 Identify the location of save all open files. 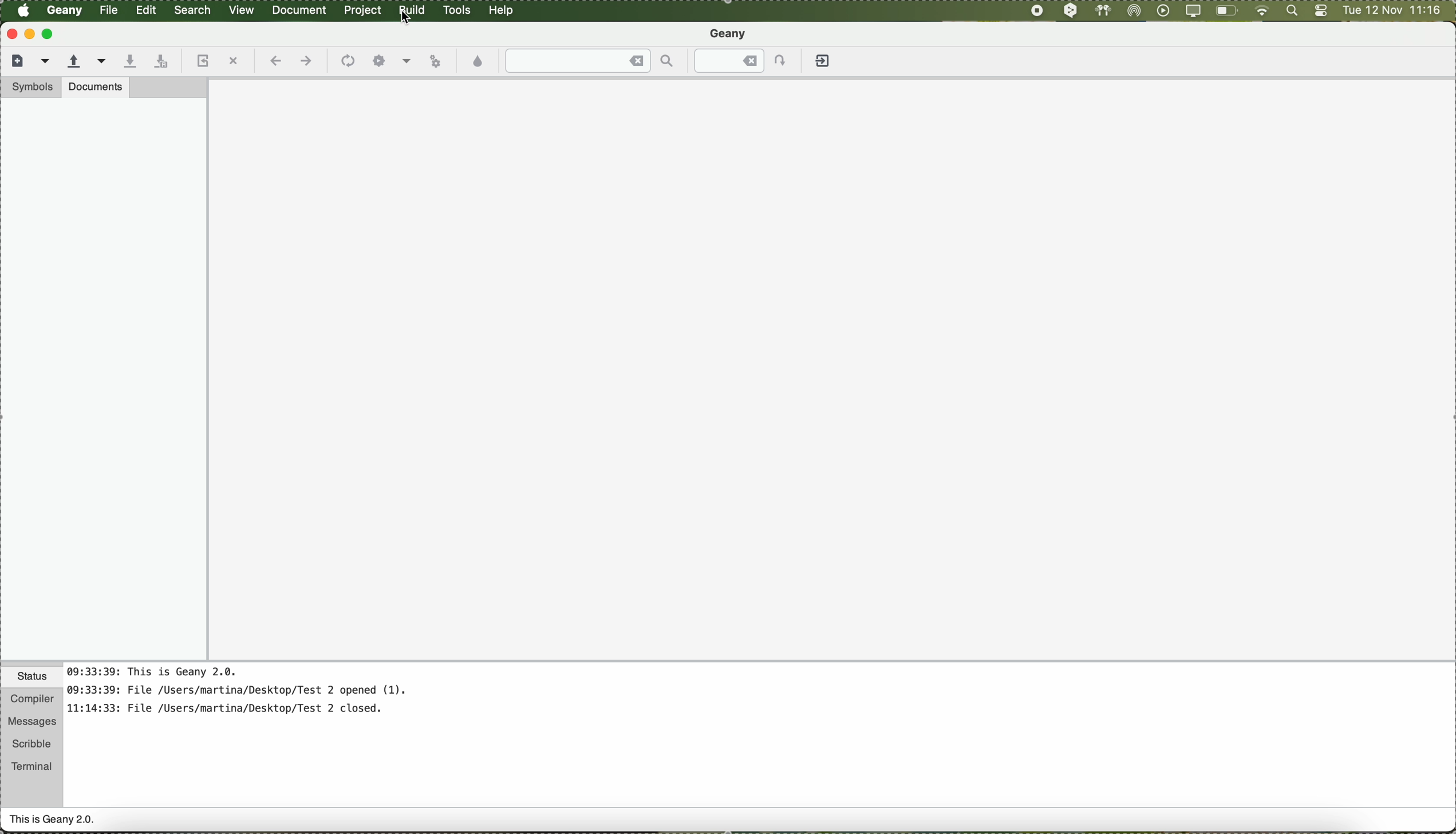
(159, 62).